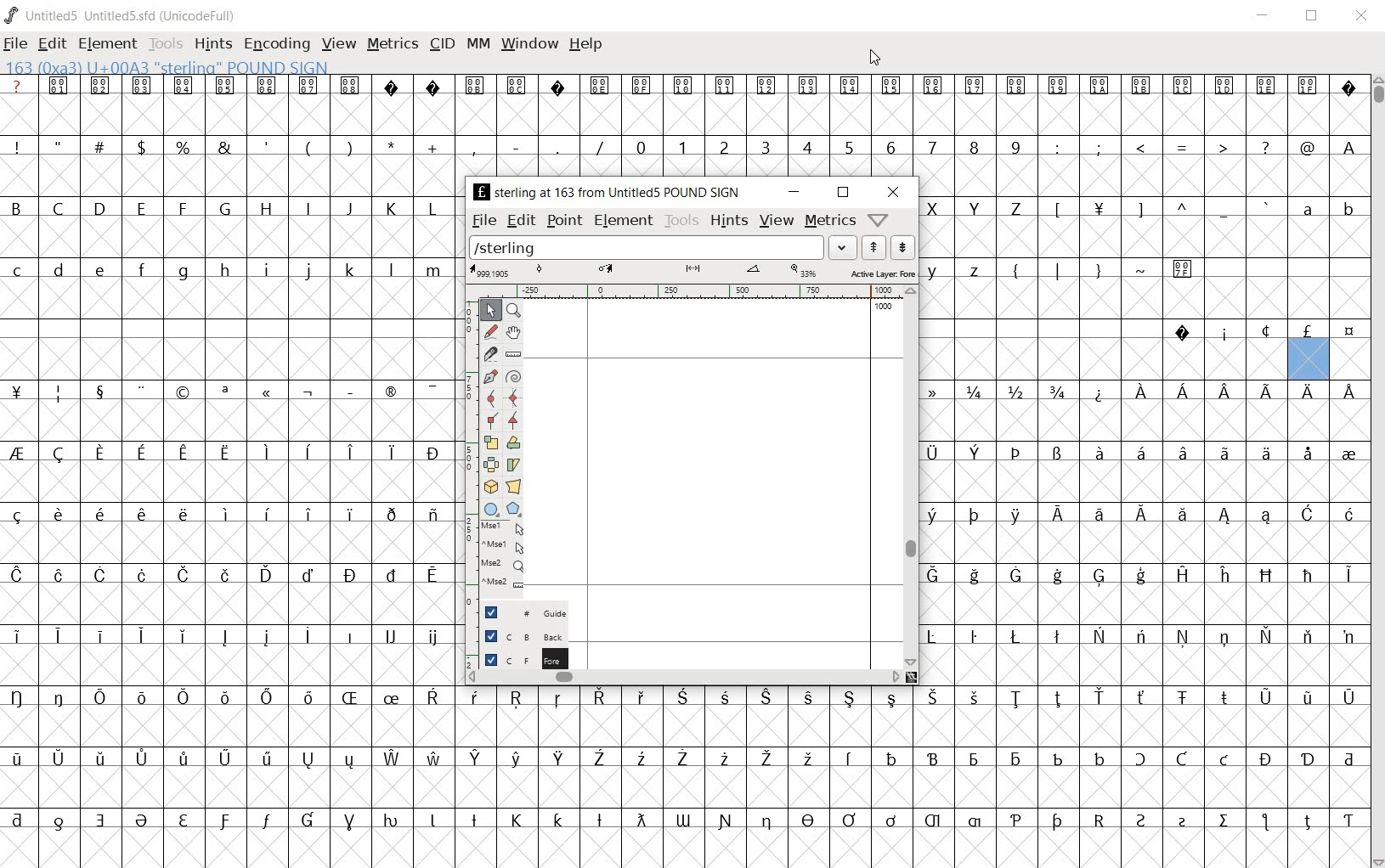  Describe the element at coordinates (937, 516) in the screenshot. I see `Symbol` at that location.